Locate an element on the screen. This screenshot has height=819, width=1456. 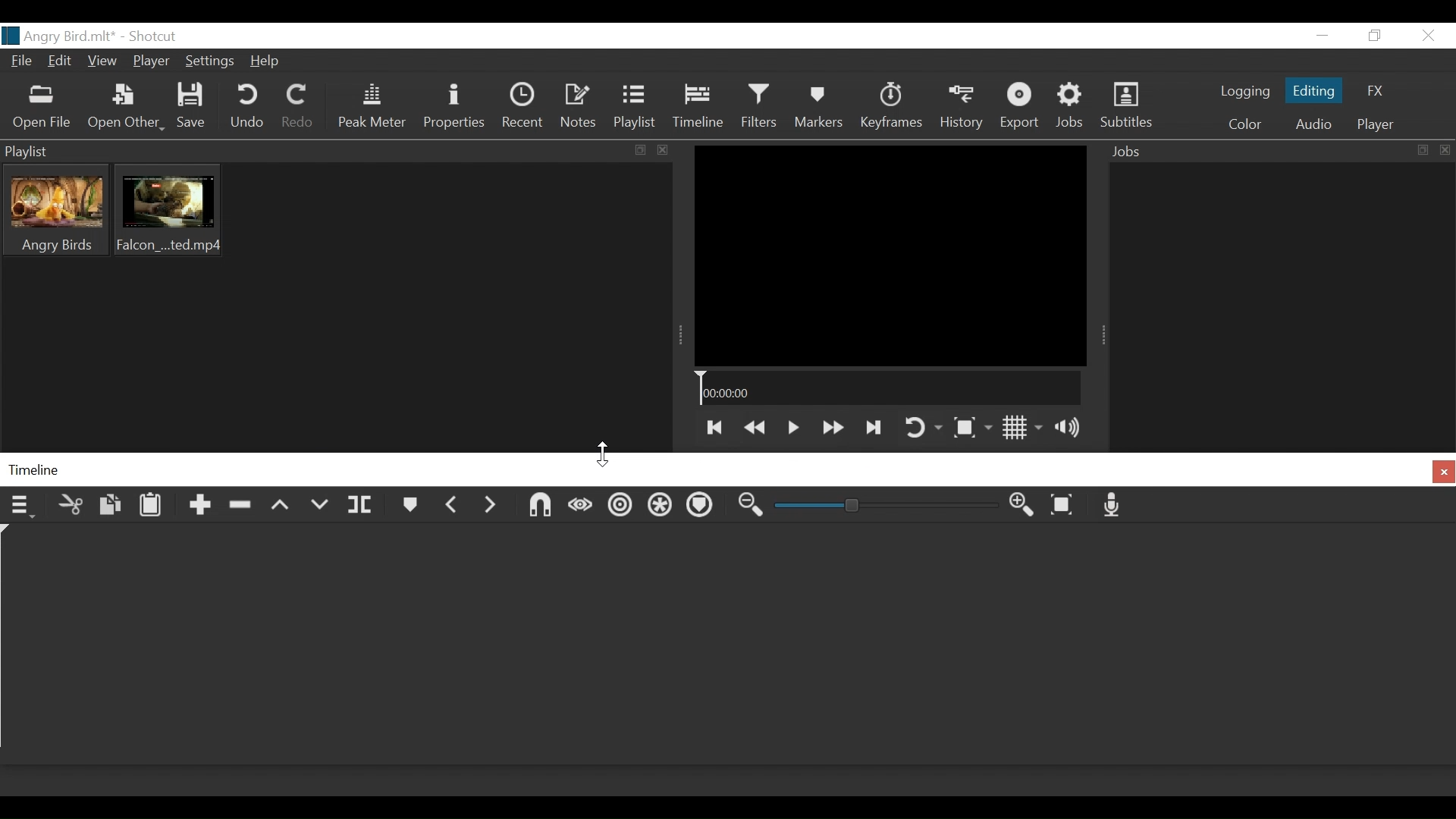
Timeline Panel is located at coordinates (728, 470).